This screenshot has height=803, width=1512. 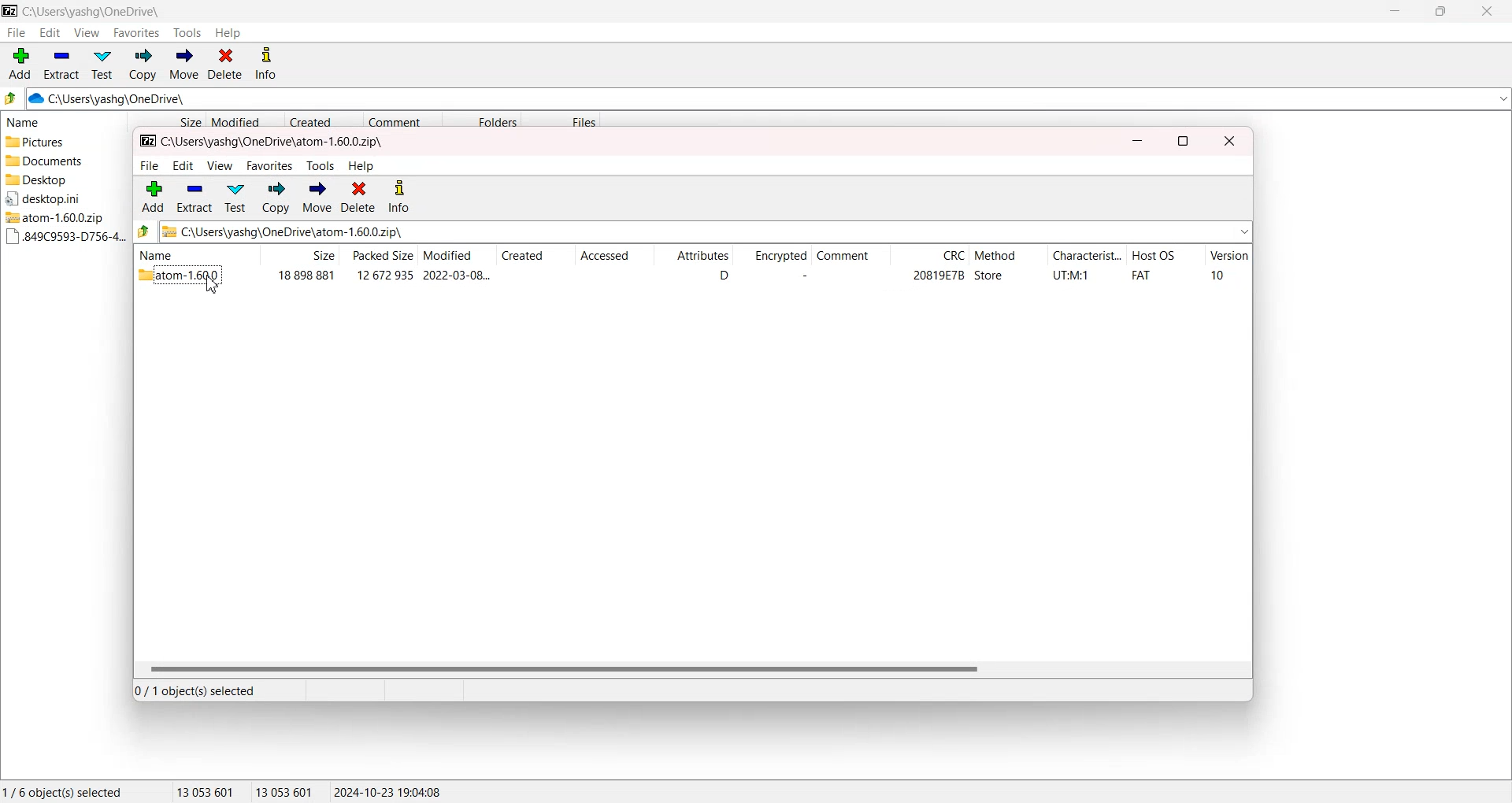 I want to click on Help, so click(x=228, y=33).